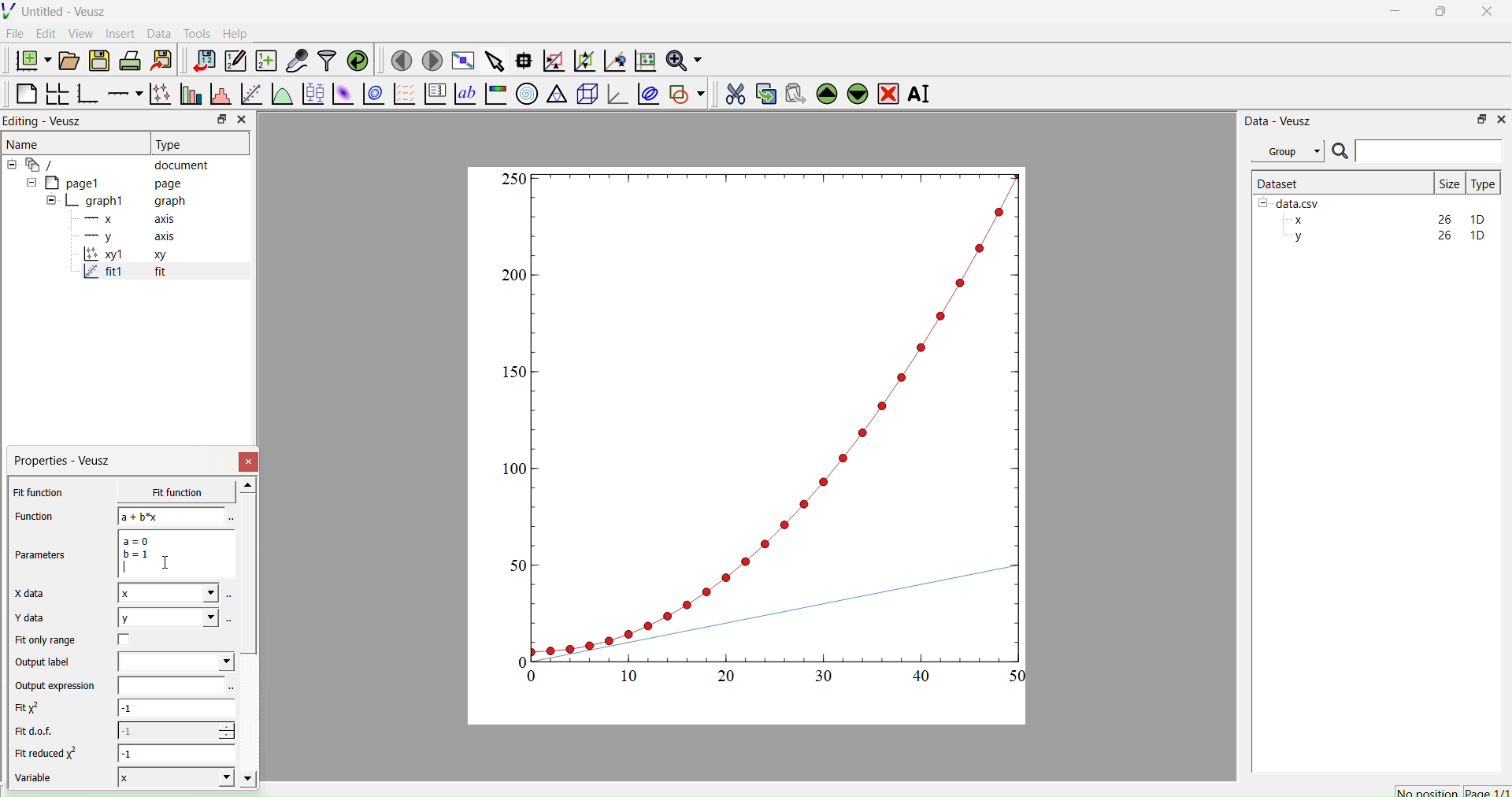  I want to click on Untitled - Veusz, so click(57, 11).